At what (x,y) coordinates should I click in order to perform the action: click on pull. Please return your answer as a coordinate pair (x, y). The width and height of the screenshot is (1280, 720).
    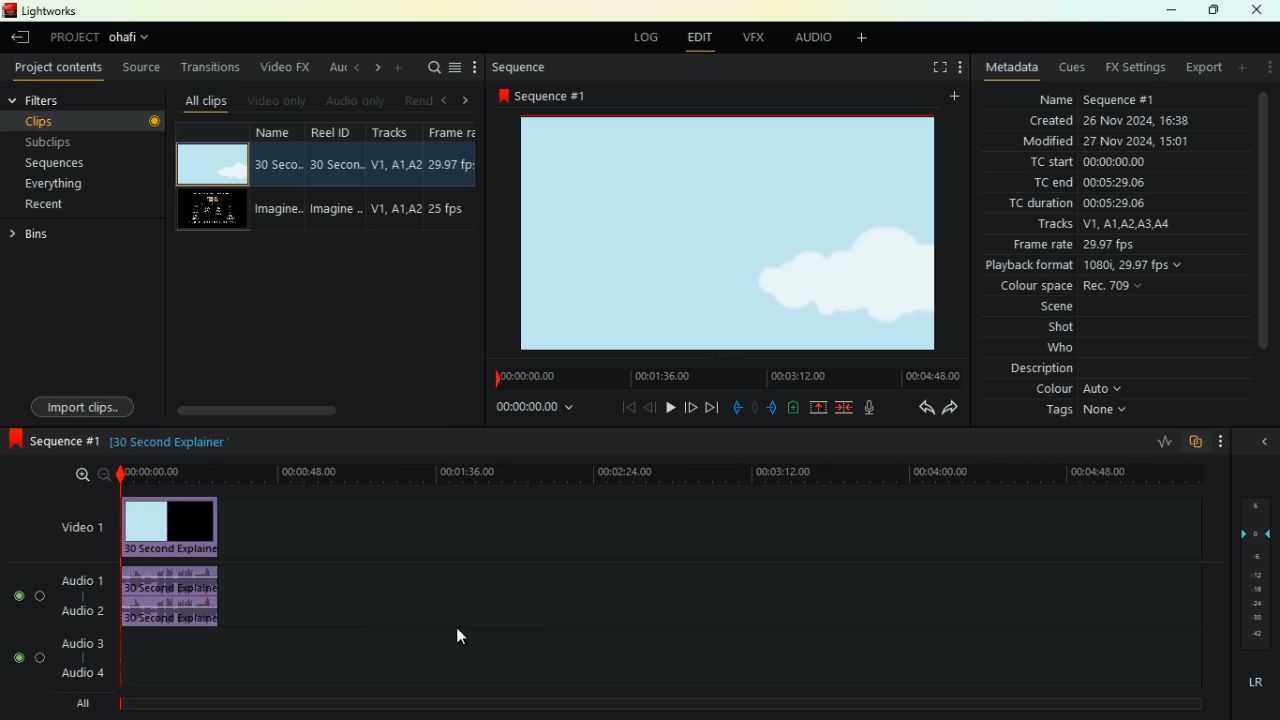
    Looking at the image, I should click on (734, 405).